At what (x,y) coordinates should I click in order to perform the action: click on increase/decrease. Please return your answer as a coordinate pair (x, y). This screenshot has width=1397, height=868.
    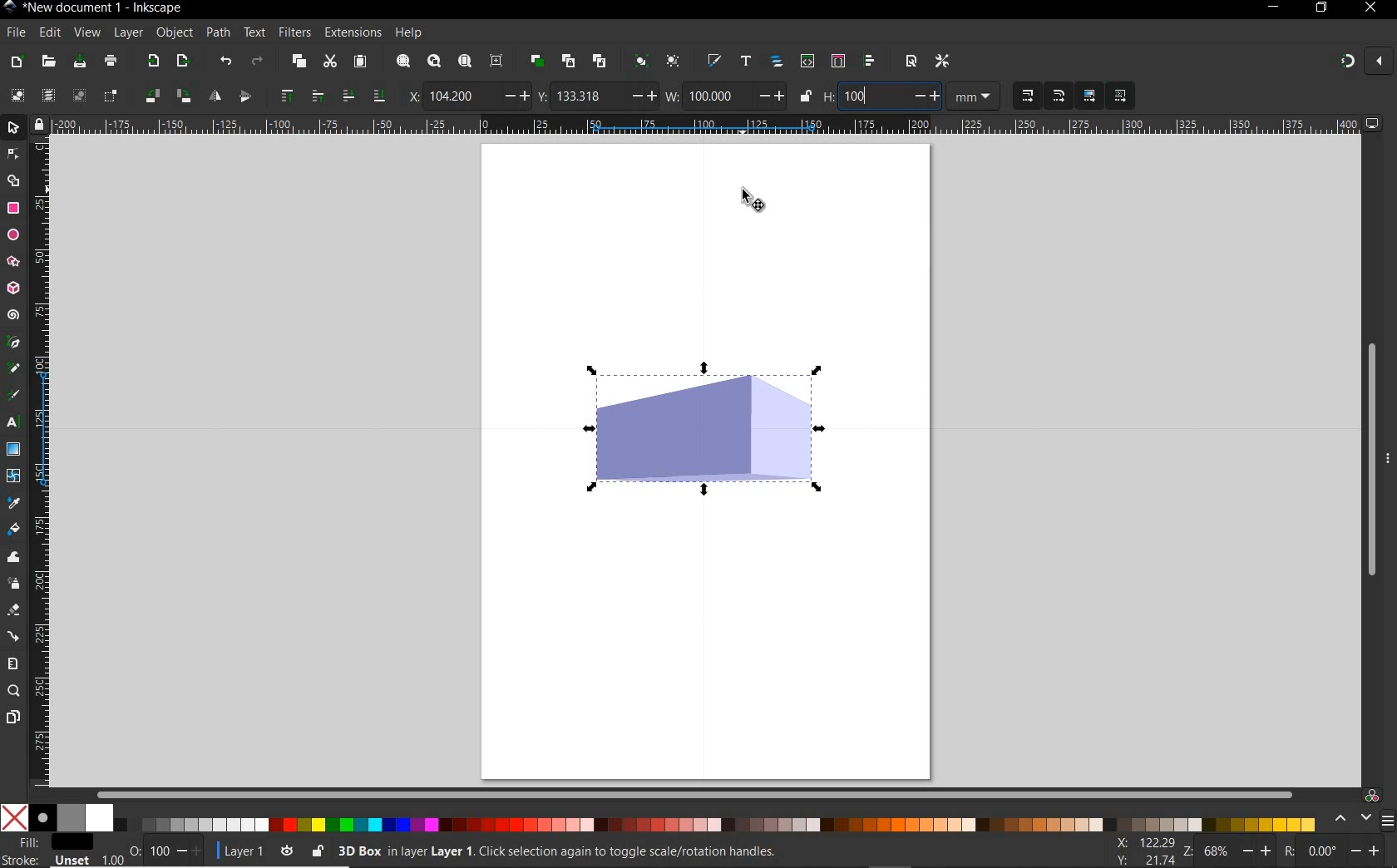
    Looking at the image, I should click on (515, 96).